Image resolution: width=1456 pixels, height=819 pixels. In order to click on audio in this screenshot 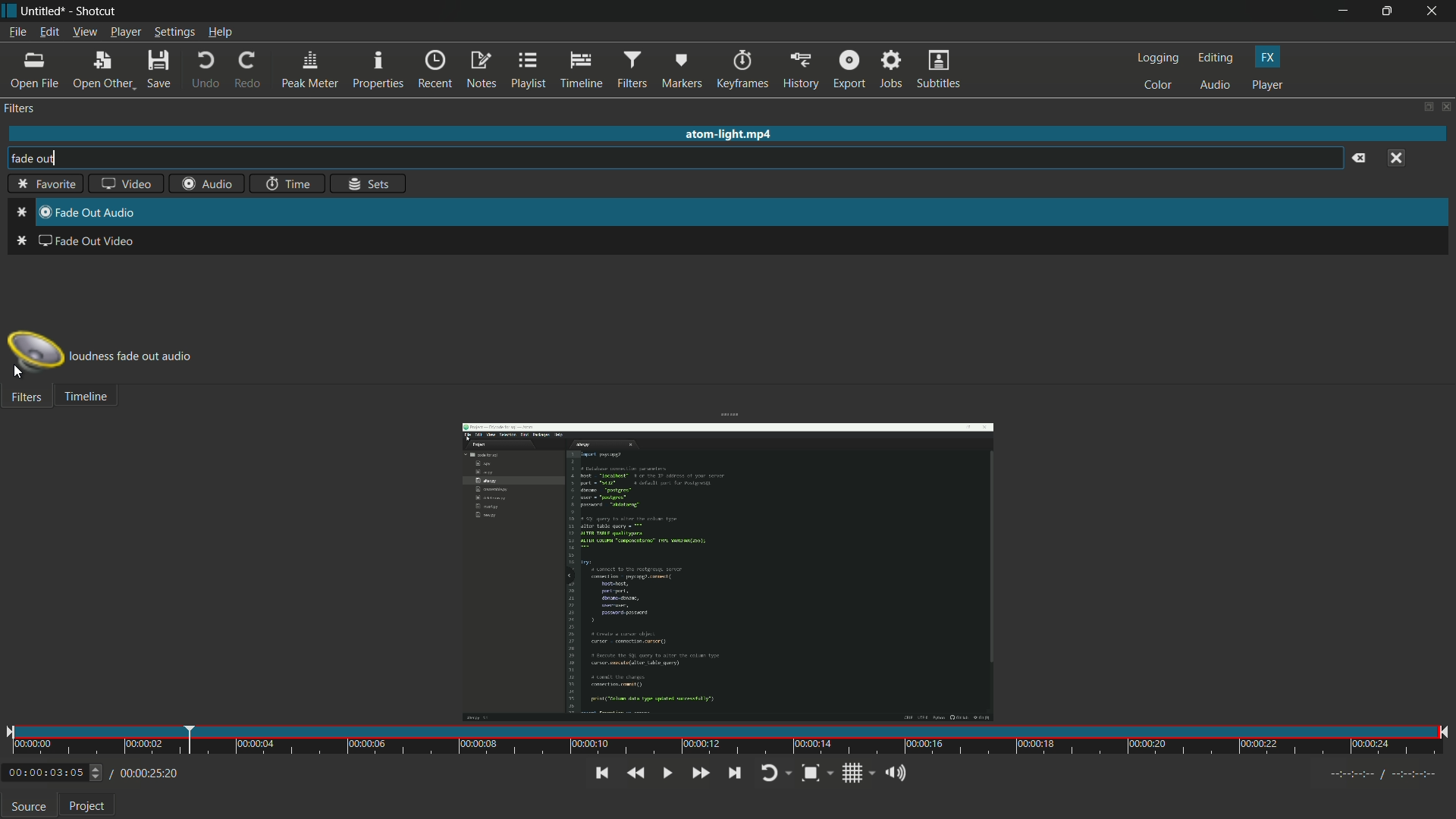, I will do `click(1215, 86)`.